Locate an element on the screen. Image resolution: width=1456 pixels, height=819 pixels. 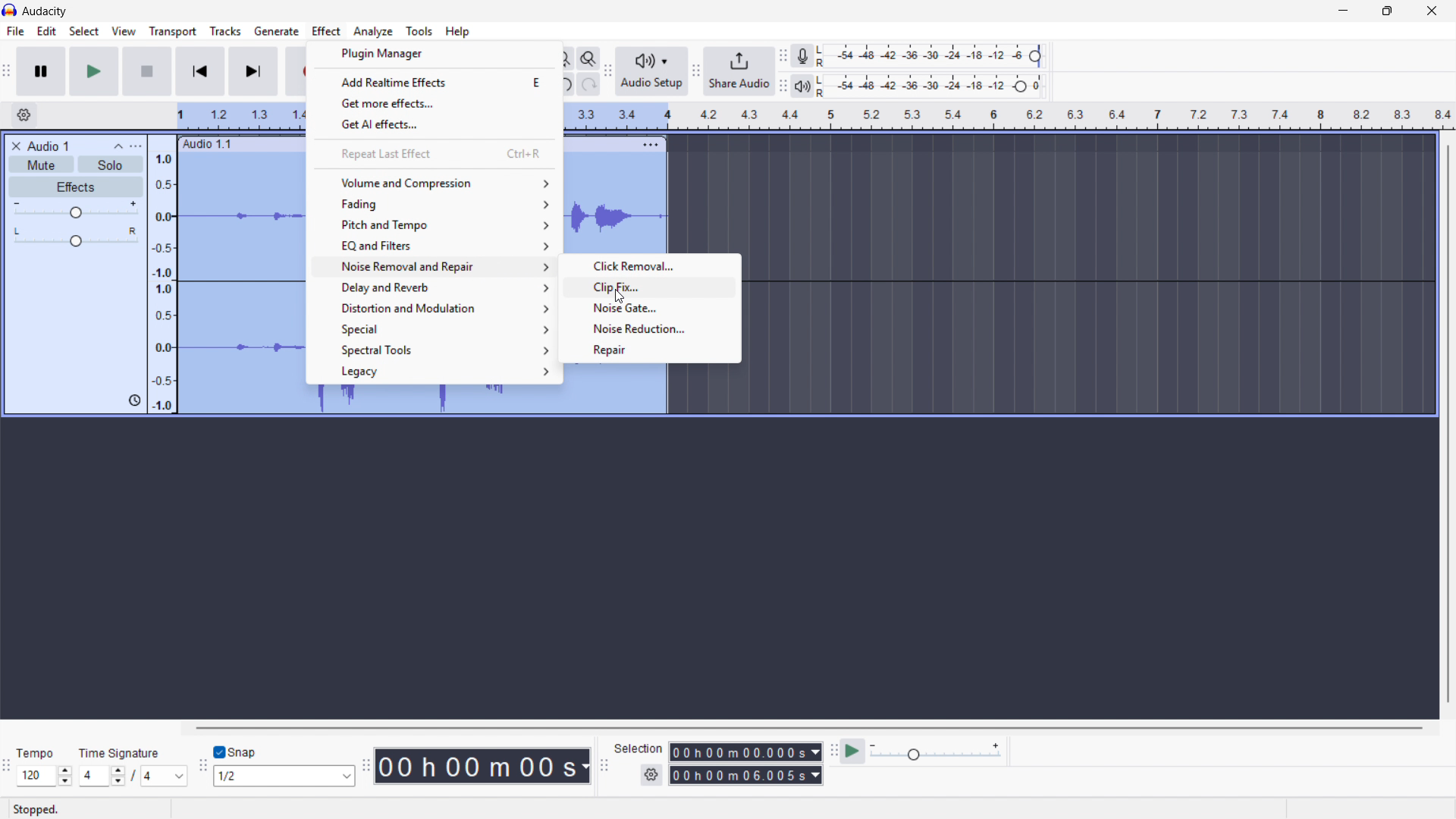
Repeat last effect  is located at coordinates (435, 154).